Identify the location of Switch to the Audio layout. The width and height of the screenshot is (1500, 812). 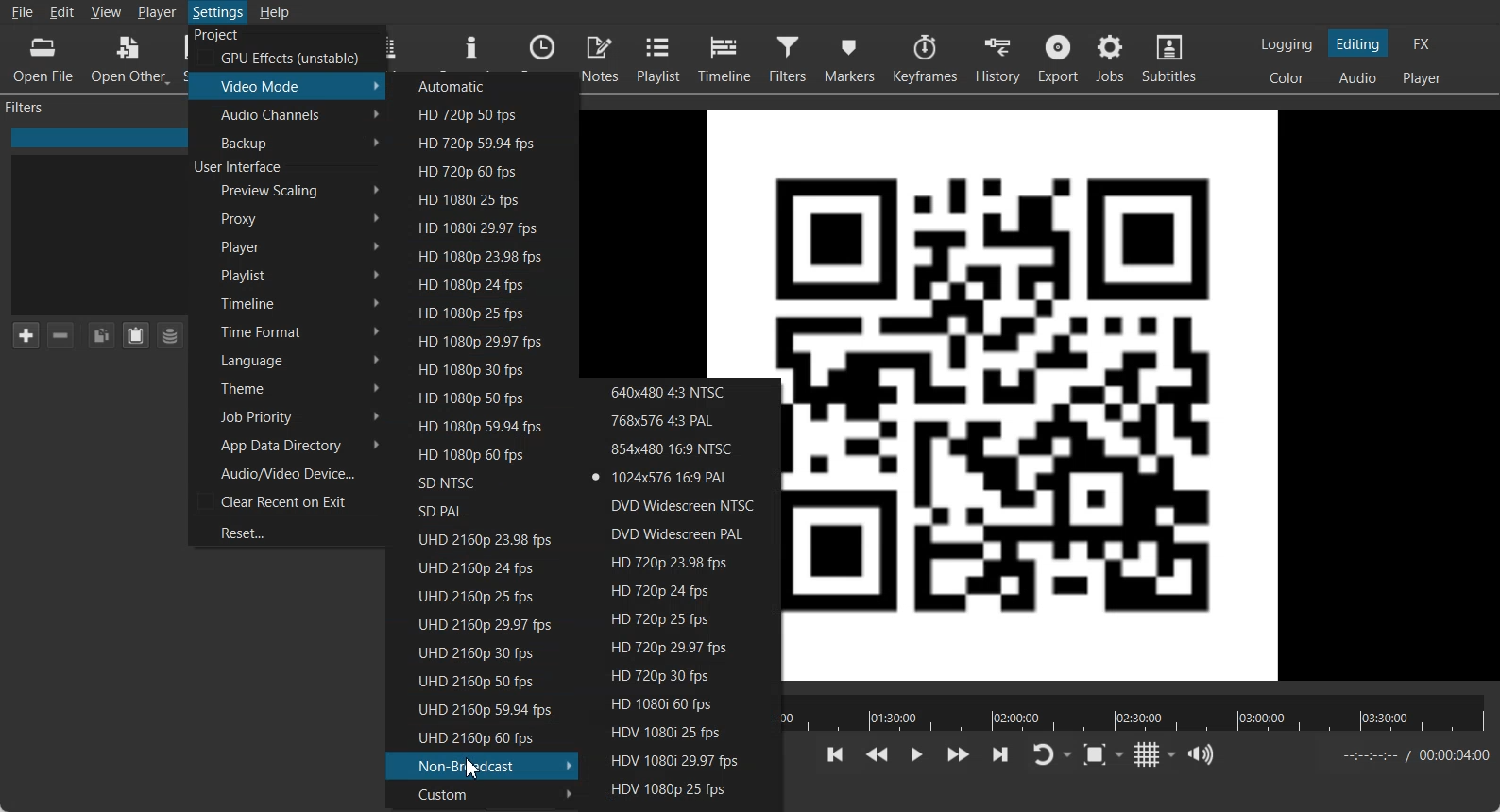
(1357, 77).